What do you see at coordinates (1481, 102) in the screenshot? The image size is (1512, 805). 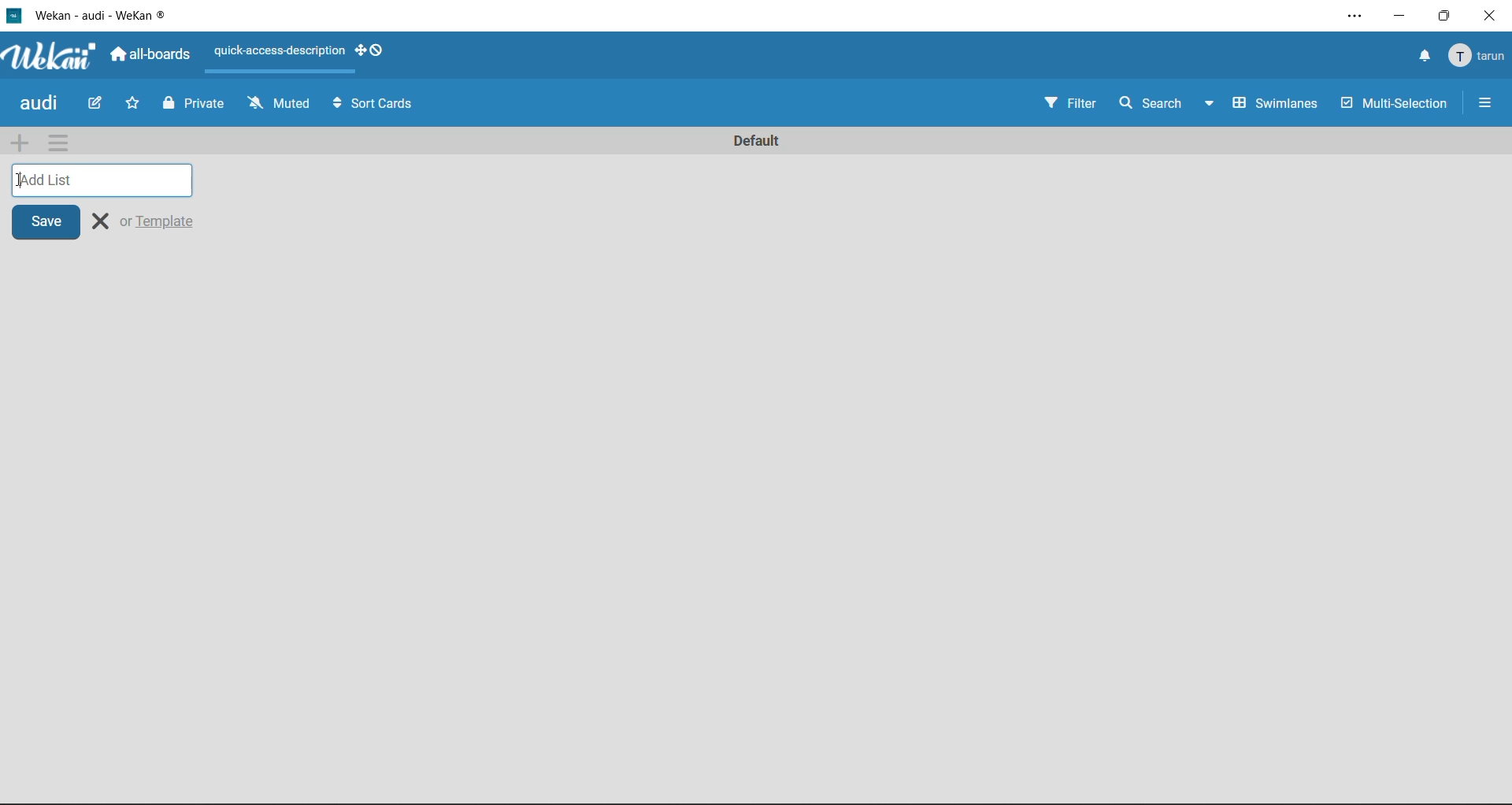 I see `More Options` at bounding box center [1481, 102].